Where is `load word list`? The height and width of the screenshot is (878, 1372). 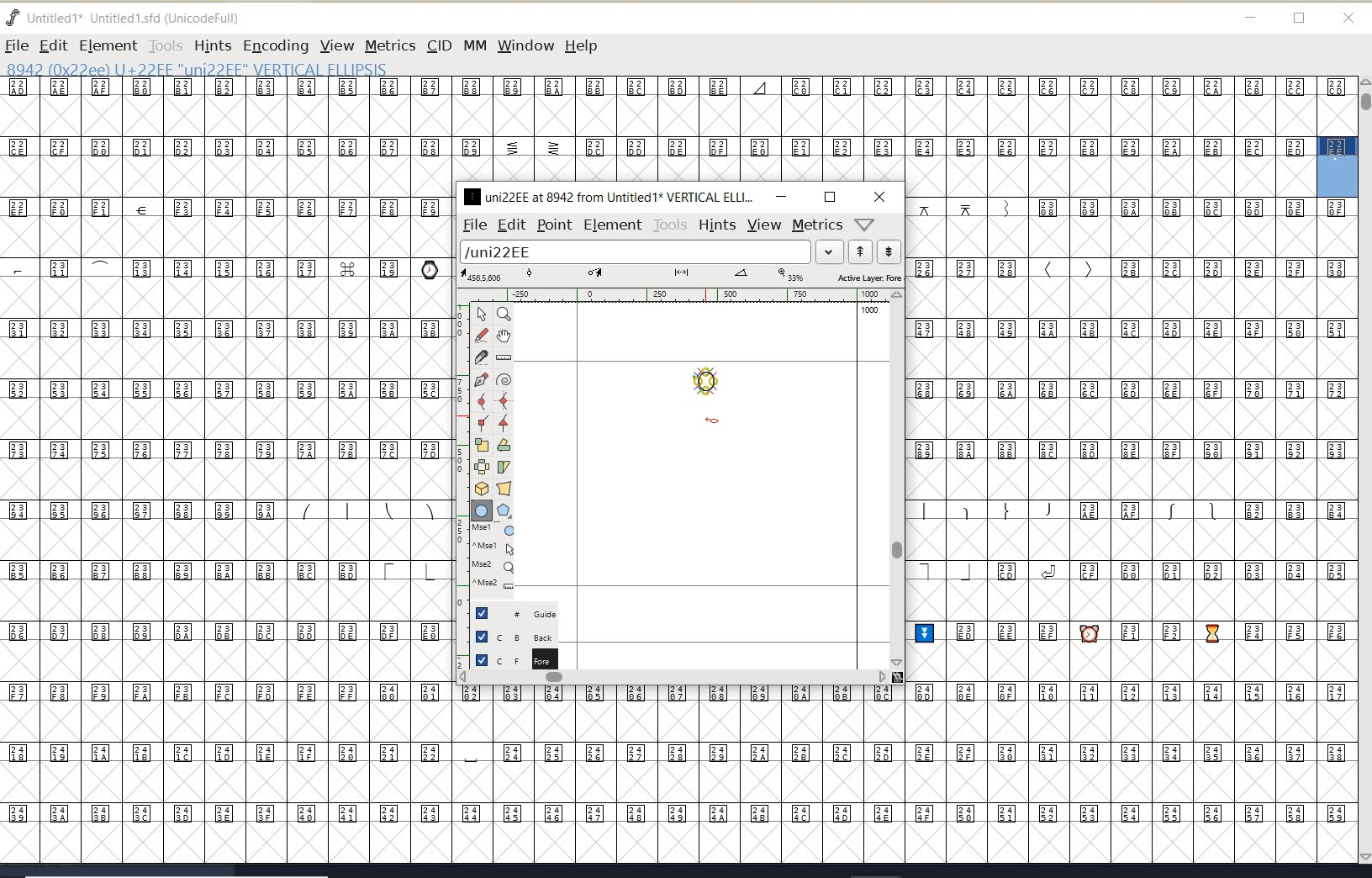
load word list is located at coordinates (648, 253).